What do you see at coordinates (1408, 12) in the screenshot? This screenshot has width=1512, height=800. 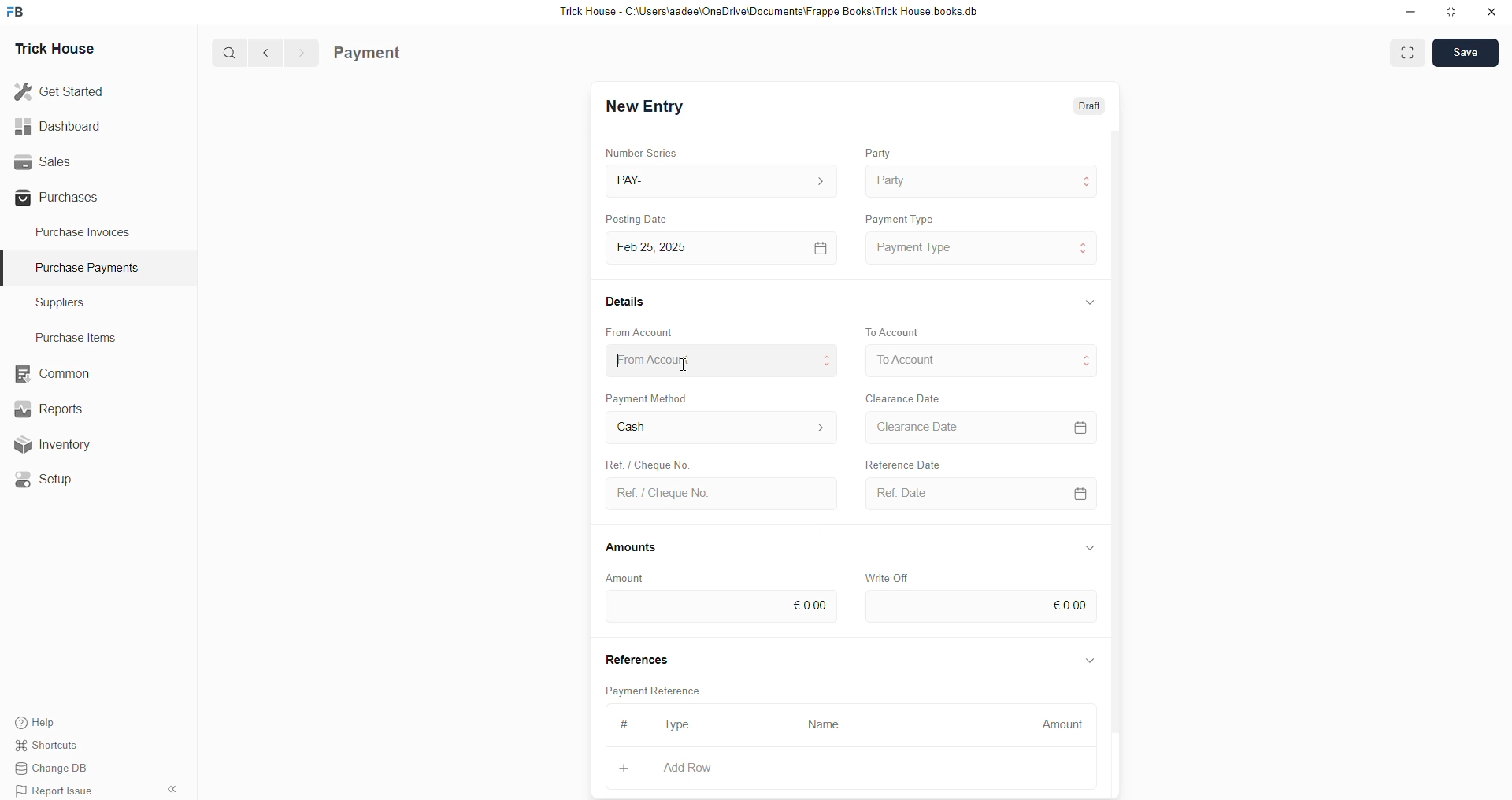 I see `minimise down` at bounding box center [1408, 12].